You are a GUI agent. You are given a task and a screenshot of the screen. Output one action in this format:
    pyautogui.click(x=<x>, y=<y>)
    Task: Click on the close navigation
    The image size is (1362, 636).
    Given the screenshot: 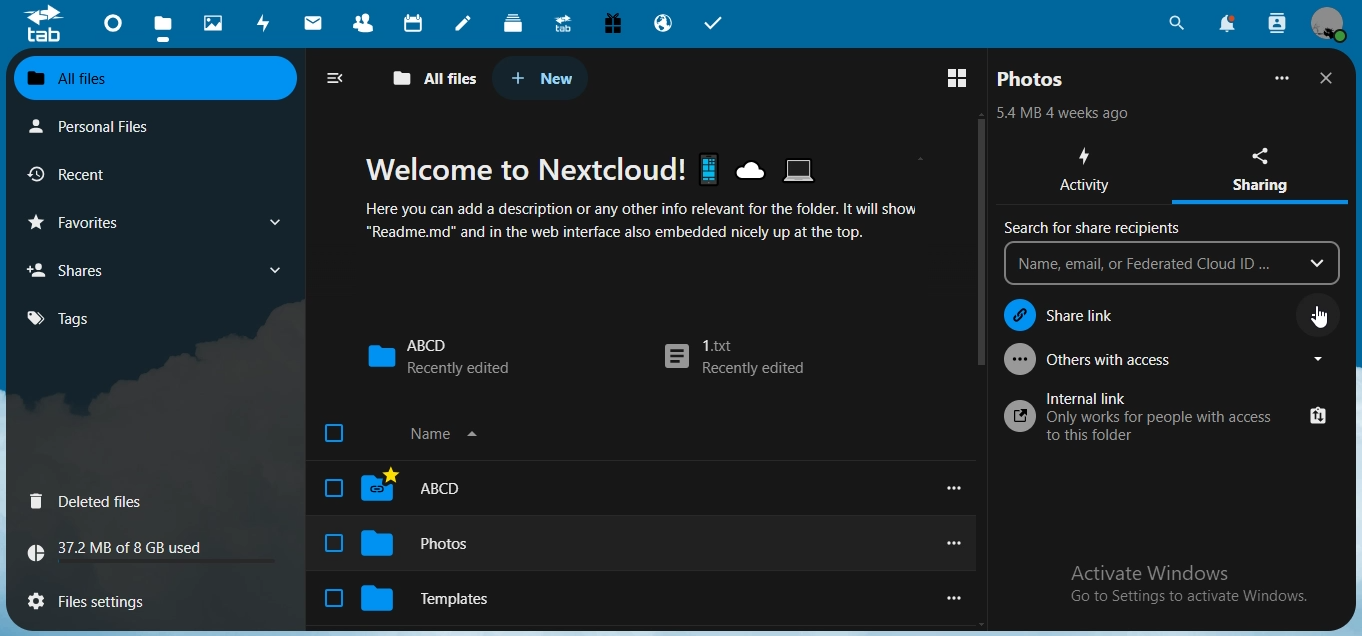 What is the action you would take?
    pyautogui.click(x=340, y=78)
    